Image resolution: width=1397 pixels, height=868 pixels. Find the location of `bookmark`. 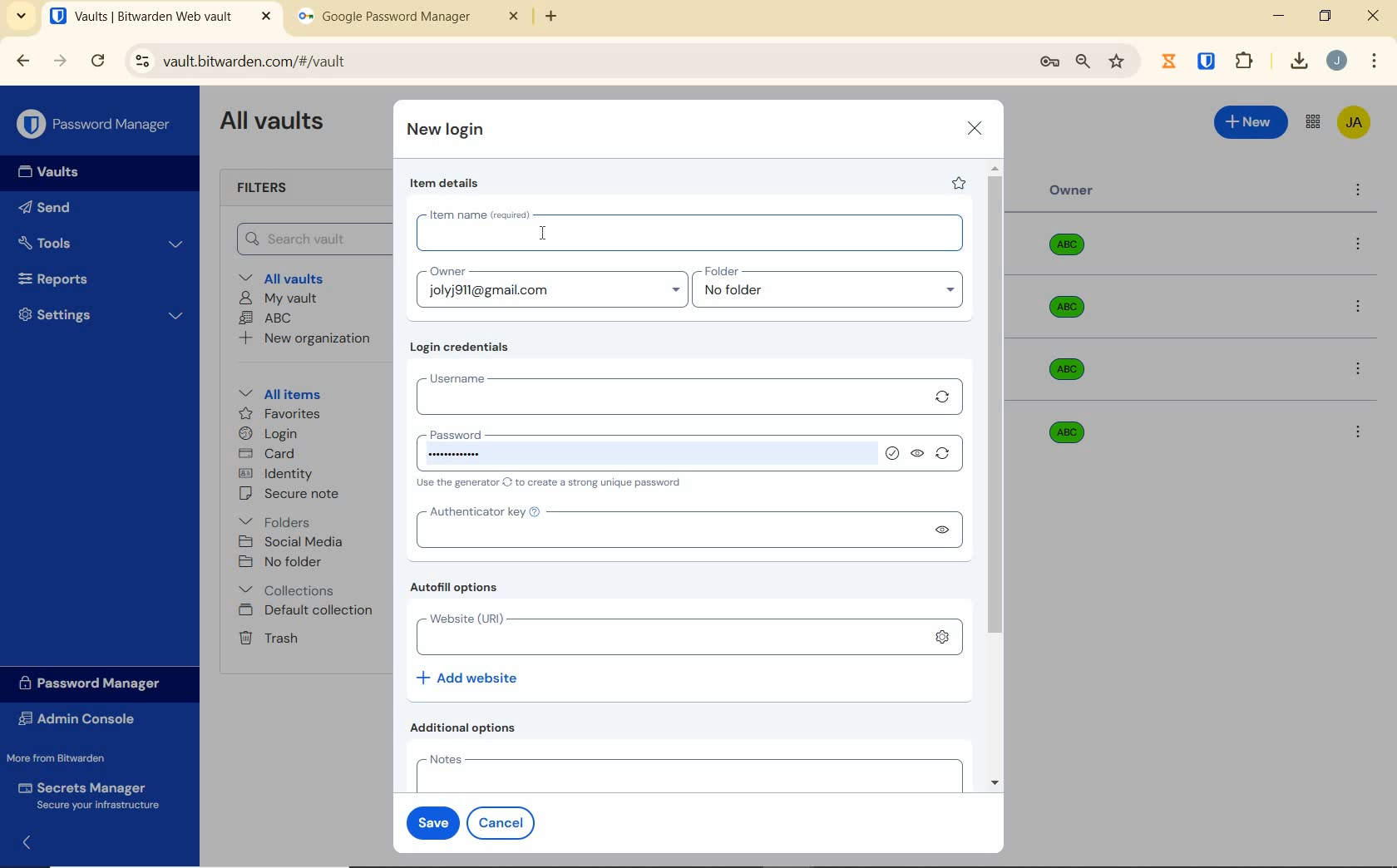

bookmark is located at coordinates (1118, 61).